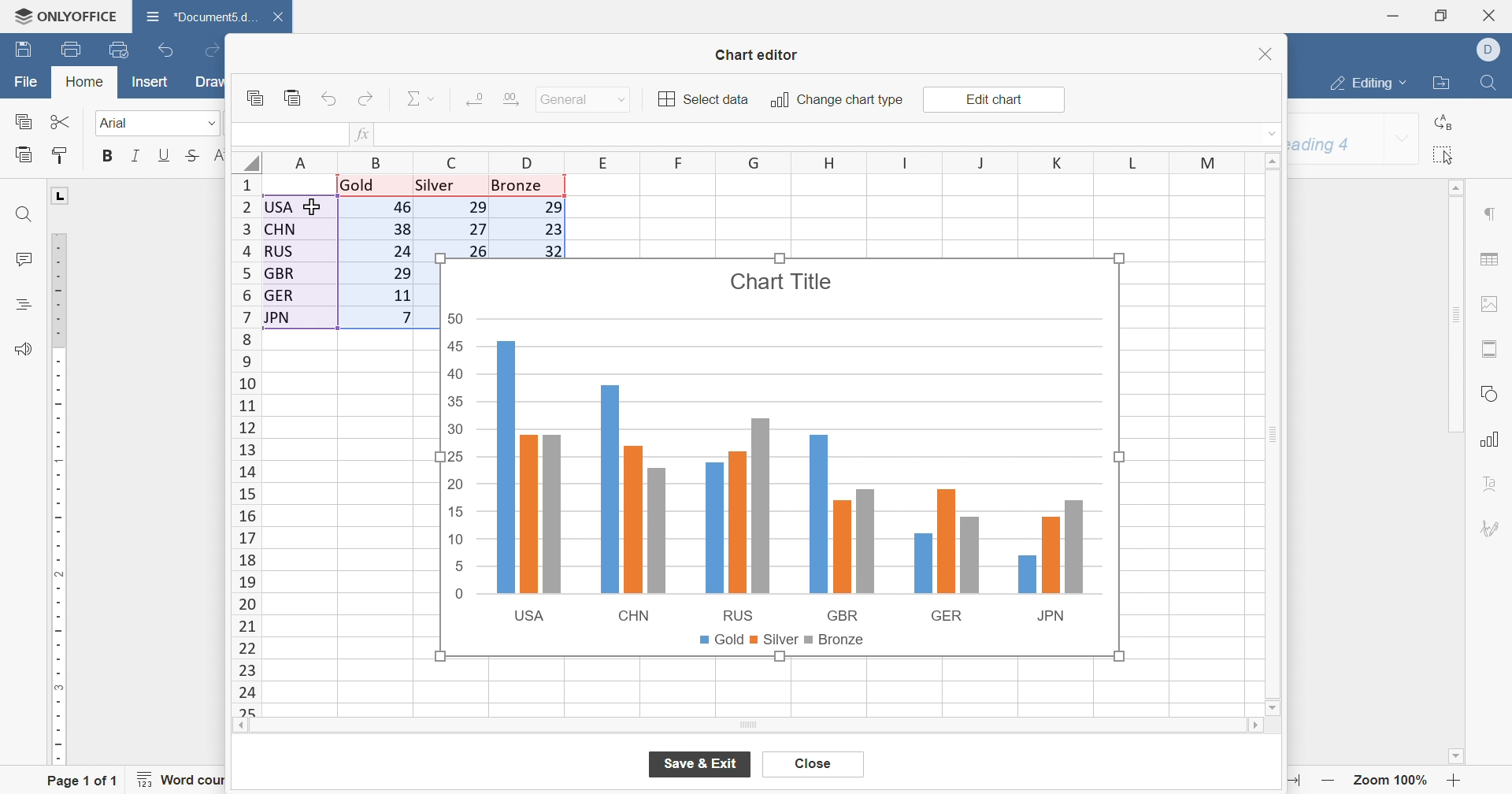 Image resolution: width=1512 pixels, height=794 pixels. What do you see at coordinates (118, 124) in the screenshot?
I see `Arial` at bounding box center [118, 124].